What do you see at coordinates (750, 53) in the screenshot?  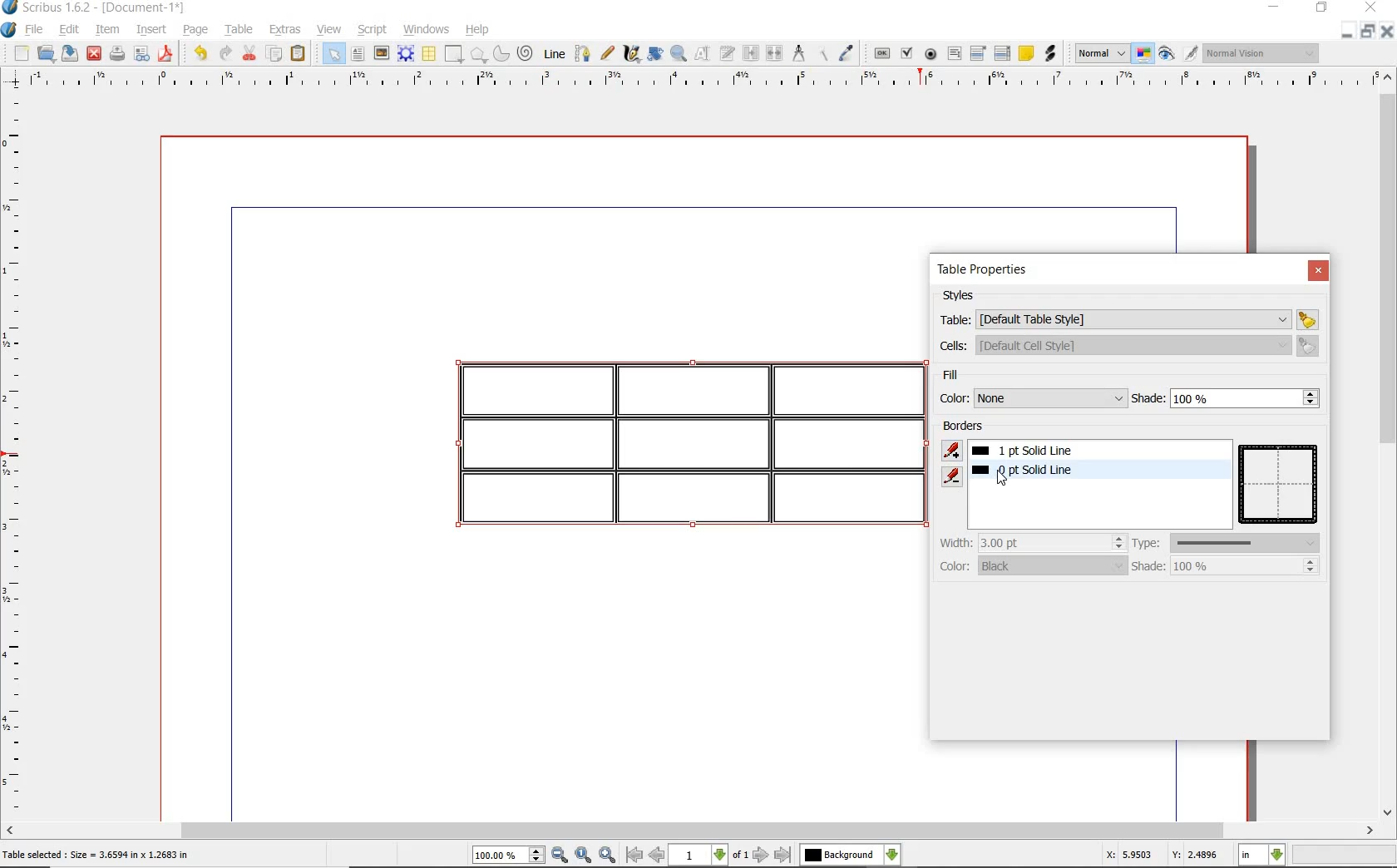 I see `link text frame` at bounding box center [750, 53].